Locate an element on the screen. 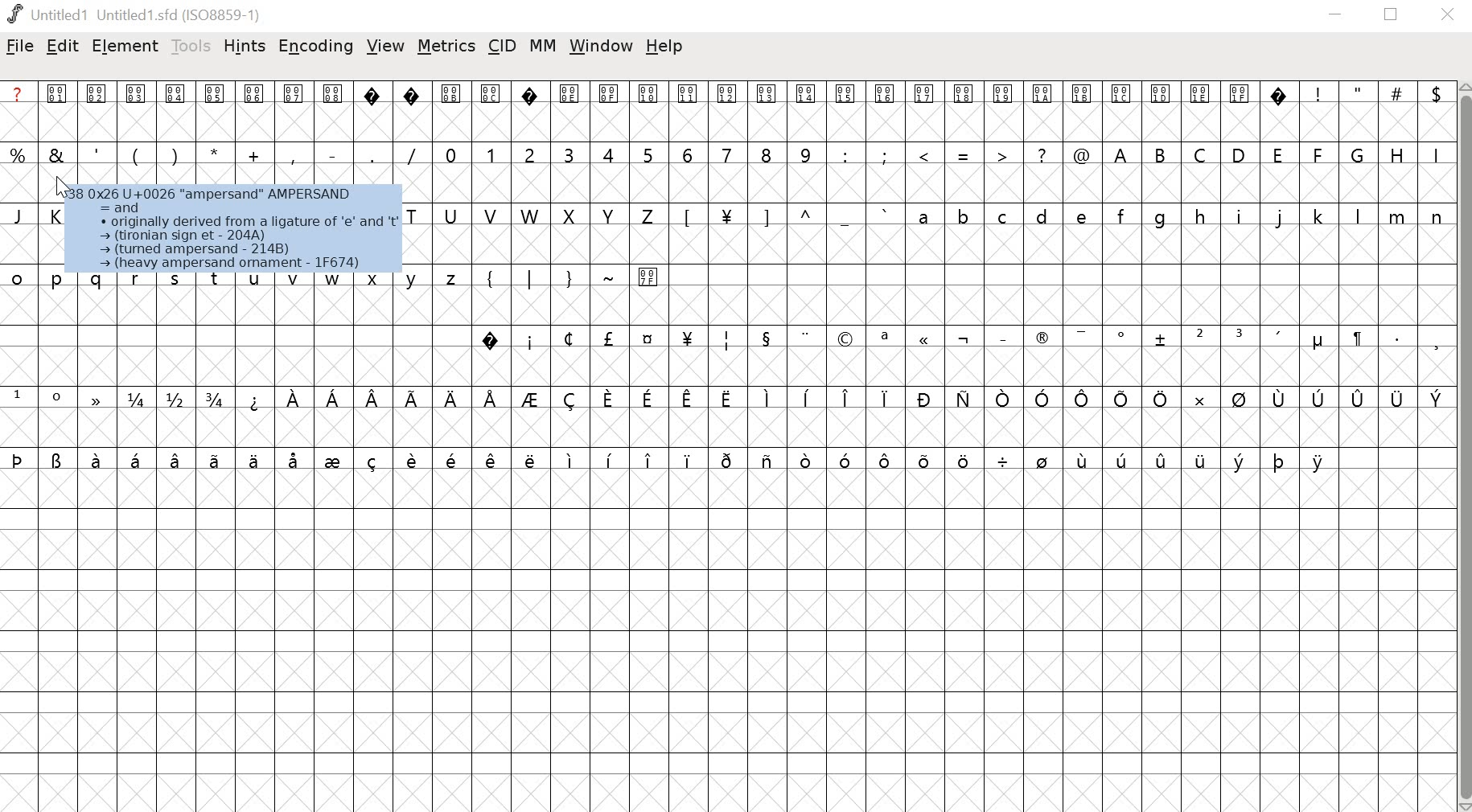 The image size is (1472, 812). ? is located at coordinates (530, 112).